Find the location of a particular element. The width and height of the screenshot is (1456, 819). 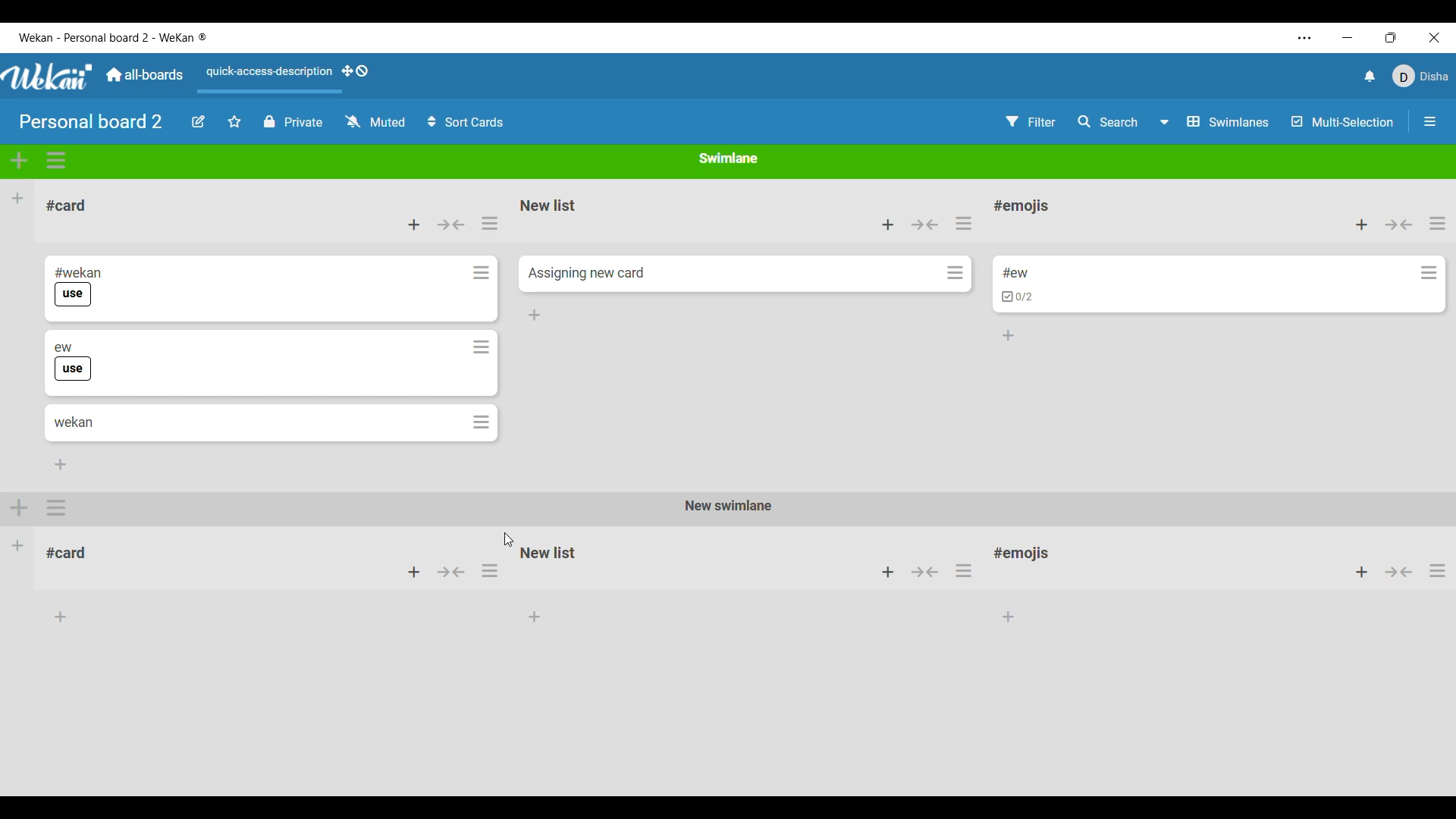

Card name is located at coordinates (1015, 273).